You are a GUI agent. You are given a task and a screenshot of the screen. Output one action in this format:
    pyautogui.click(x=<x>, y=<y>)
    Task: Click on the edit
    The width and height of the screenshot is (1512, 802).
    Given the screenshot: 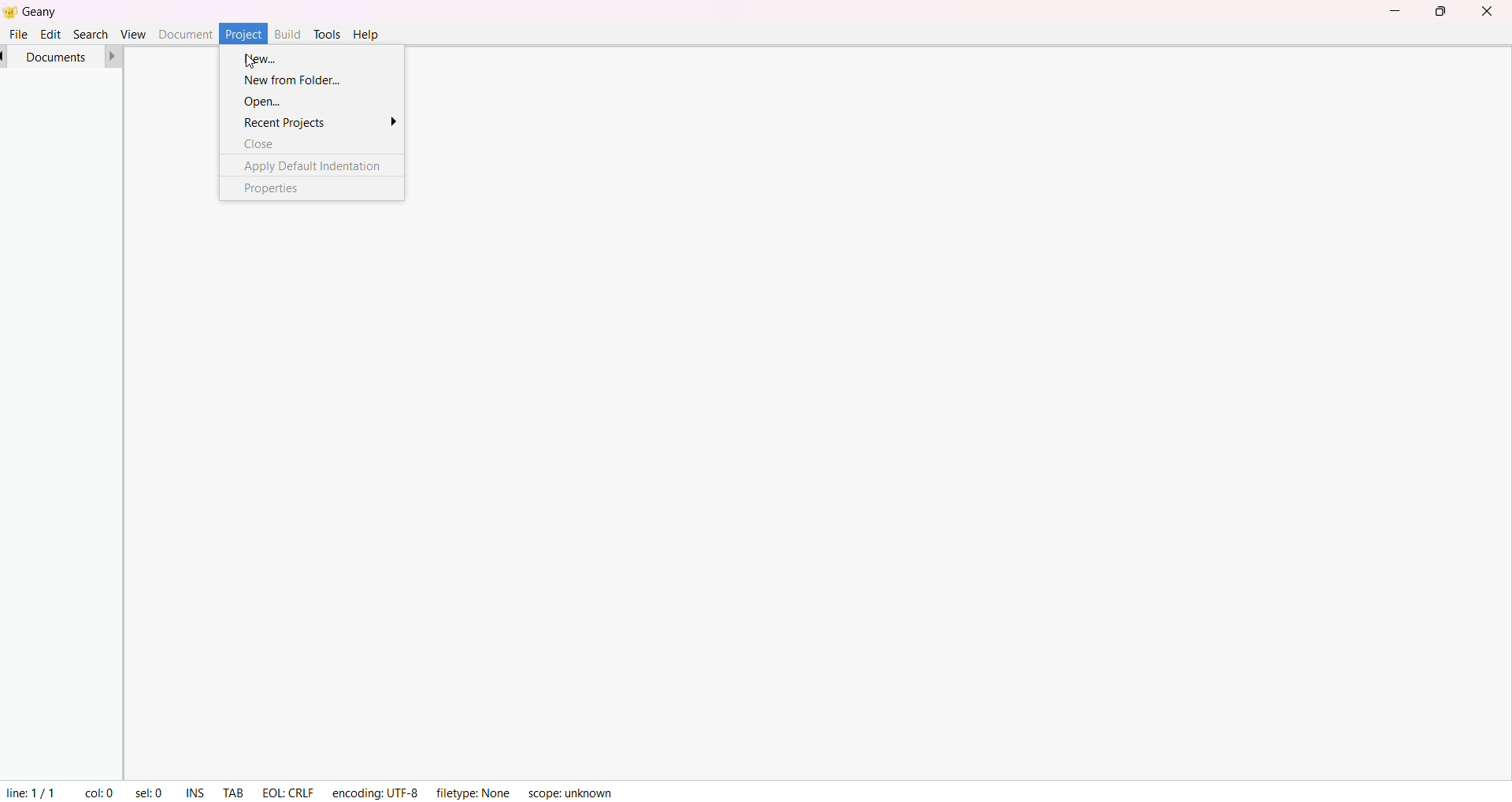 What is the action you would take?
    pyautogui.click(x=51, y=33)
    